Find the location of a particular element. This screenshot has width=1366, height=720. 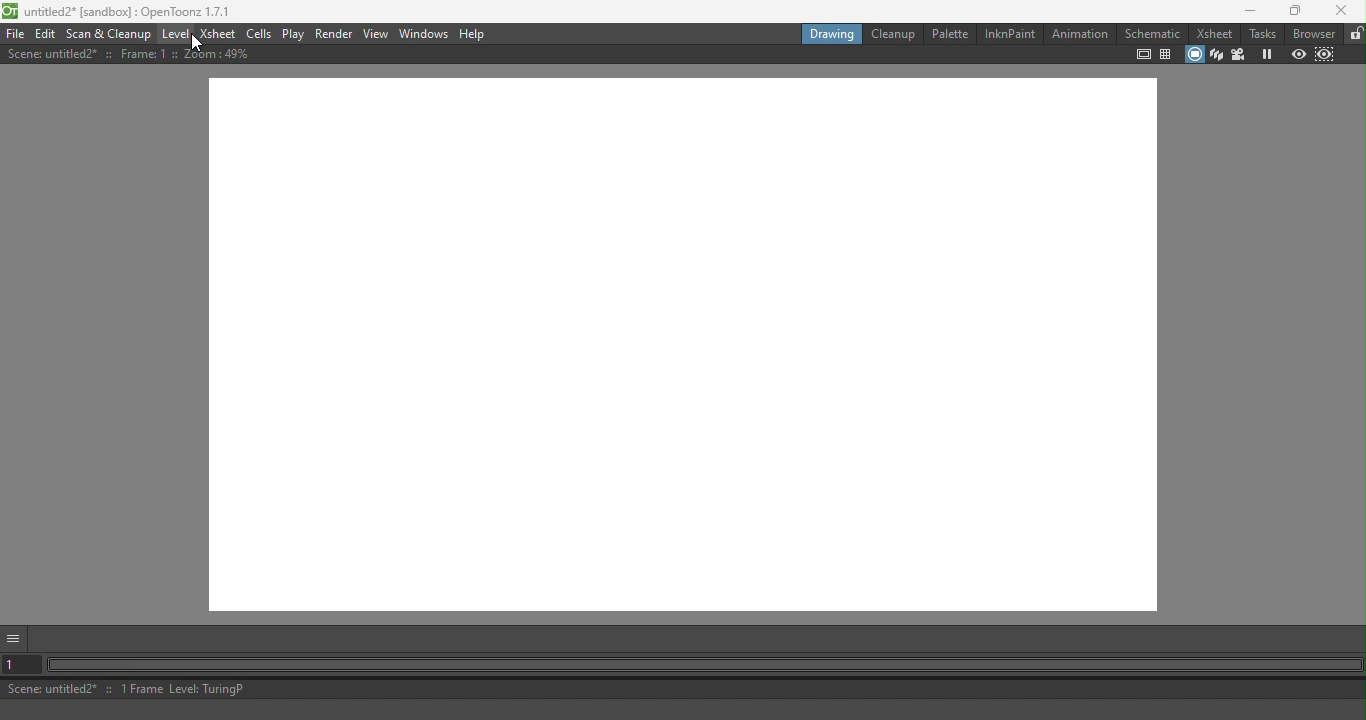

View is located at coordinates (376, 35).